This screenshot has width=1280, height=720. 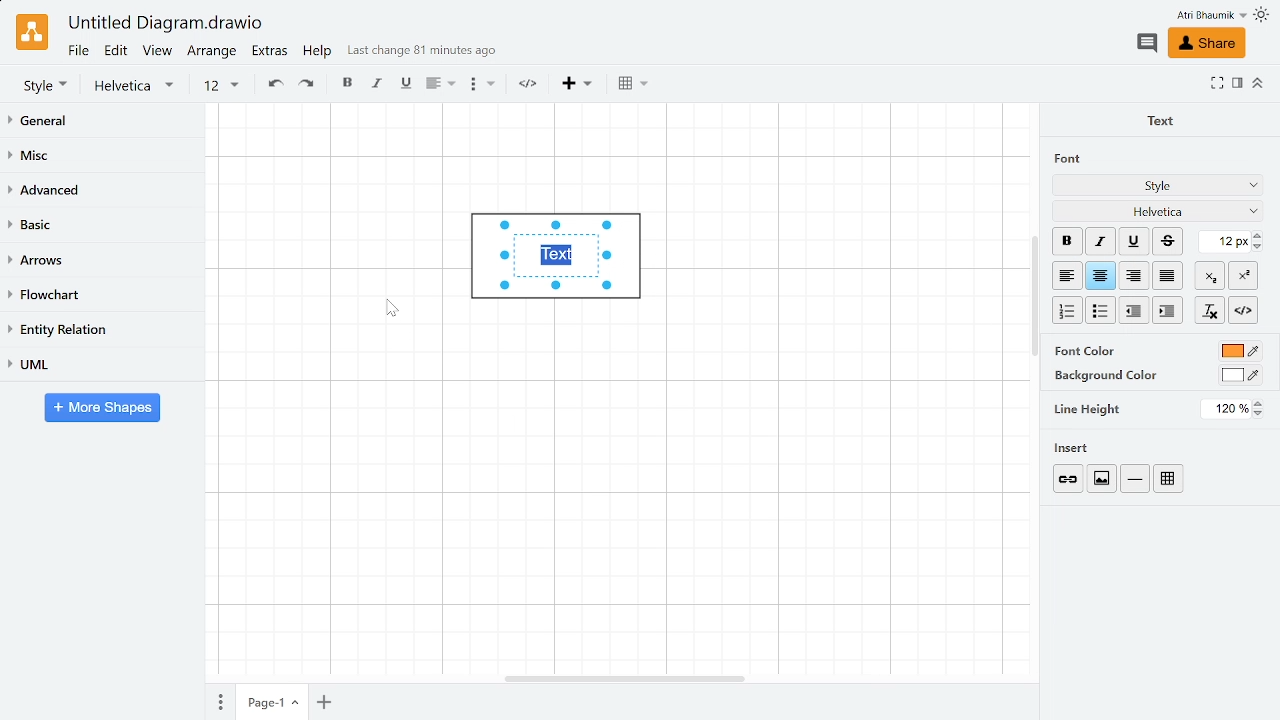 I want to click on insert, so click(x=577, y=84).